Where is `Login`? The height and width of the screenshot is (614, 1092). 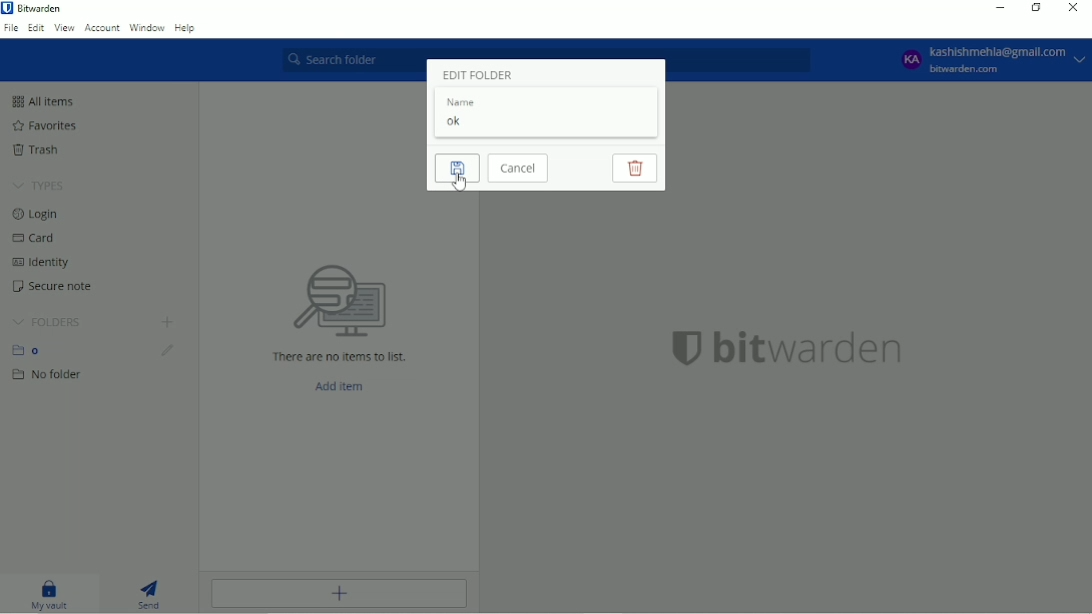
Login is located at coordinates (40, 214).